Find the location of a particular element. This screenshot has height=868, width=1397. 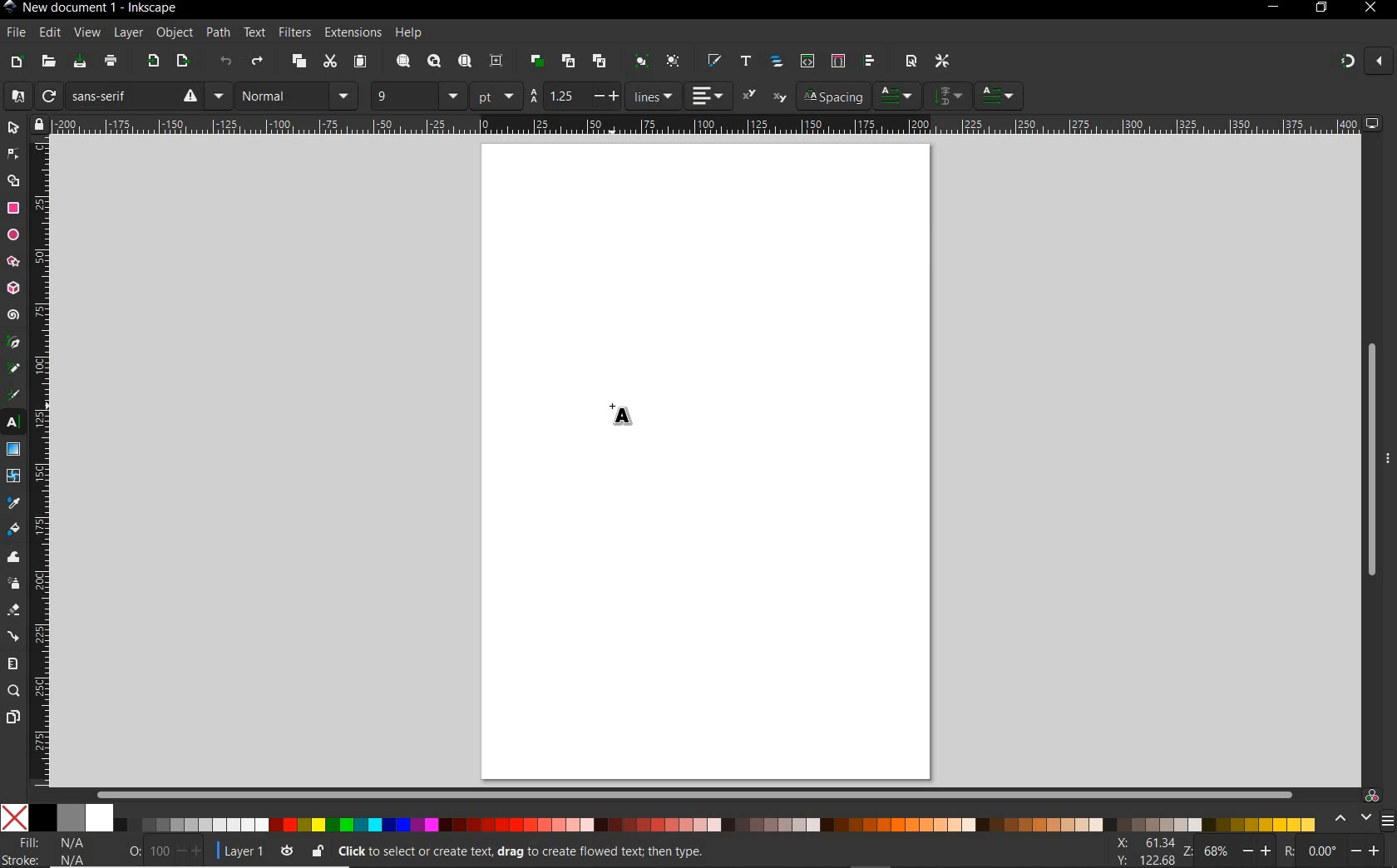

open objects is located at coordinates (778, 62).